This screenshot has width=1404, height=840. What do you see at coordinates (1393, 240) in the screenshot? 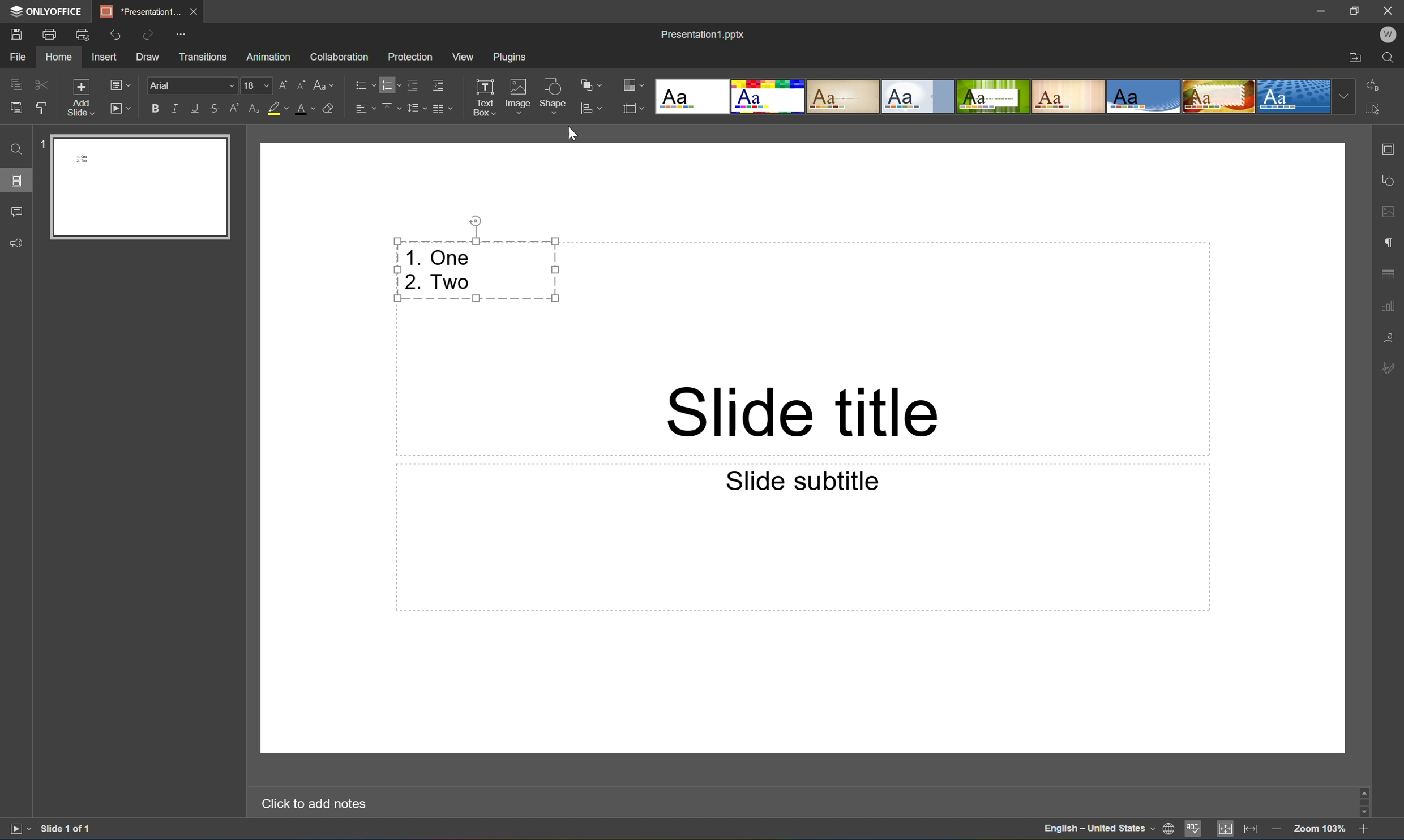
I see `Paragraph settings` at bounding box center [1393, 240].